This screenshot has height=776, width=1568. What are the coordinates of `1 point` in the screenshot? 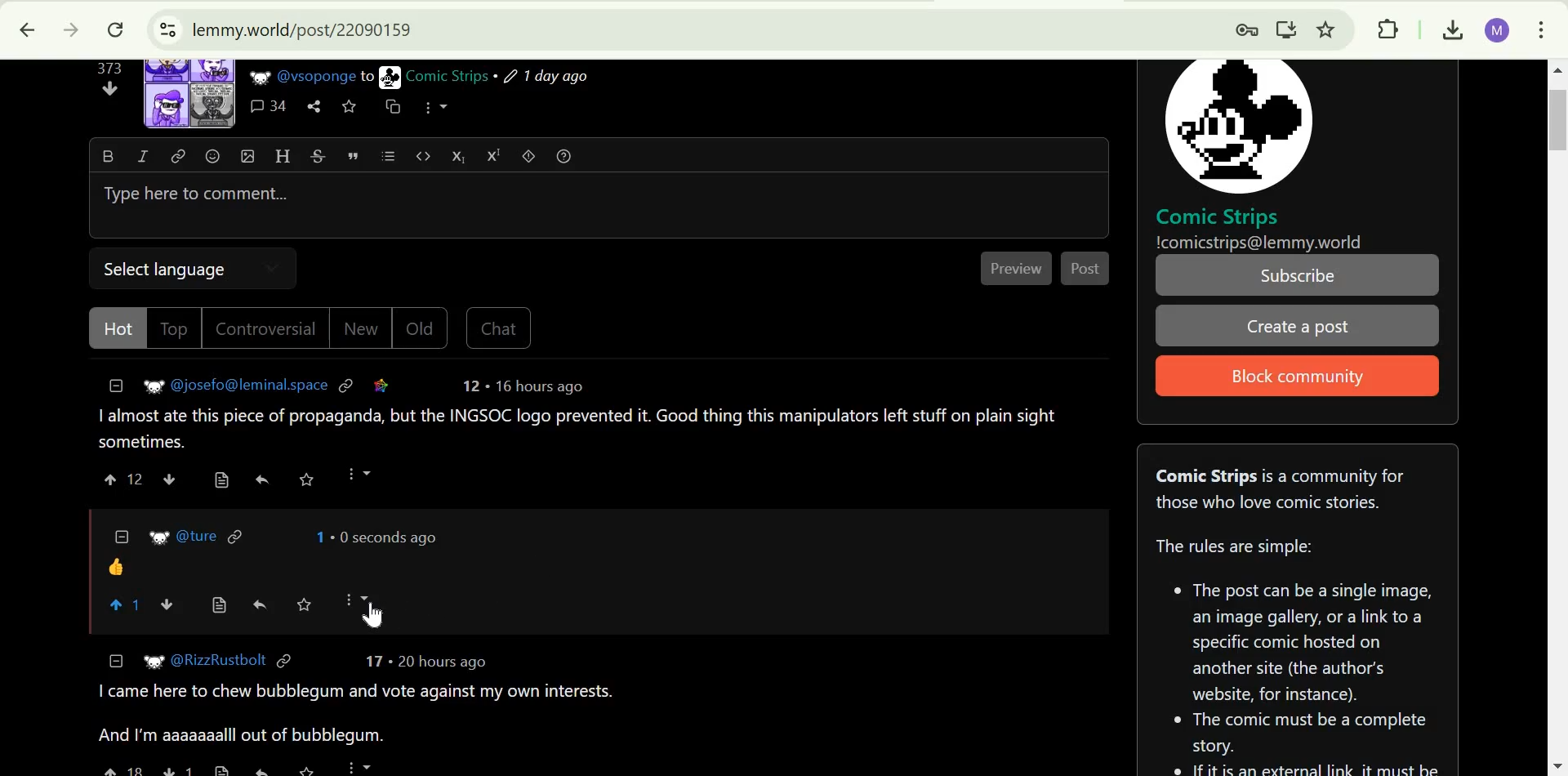 It's located at (317, 537).